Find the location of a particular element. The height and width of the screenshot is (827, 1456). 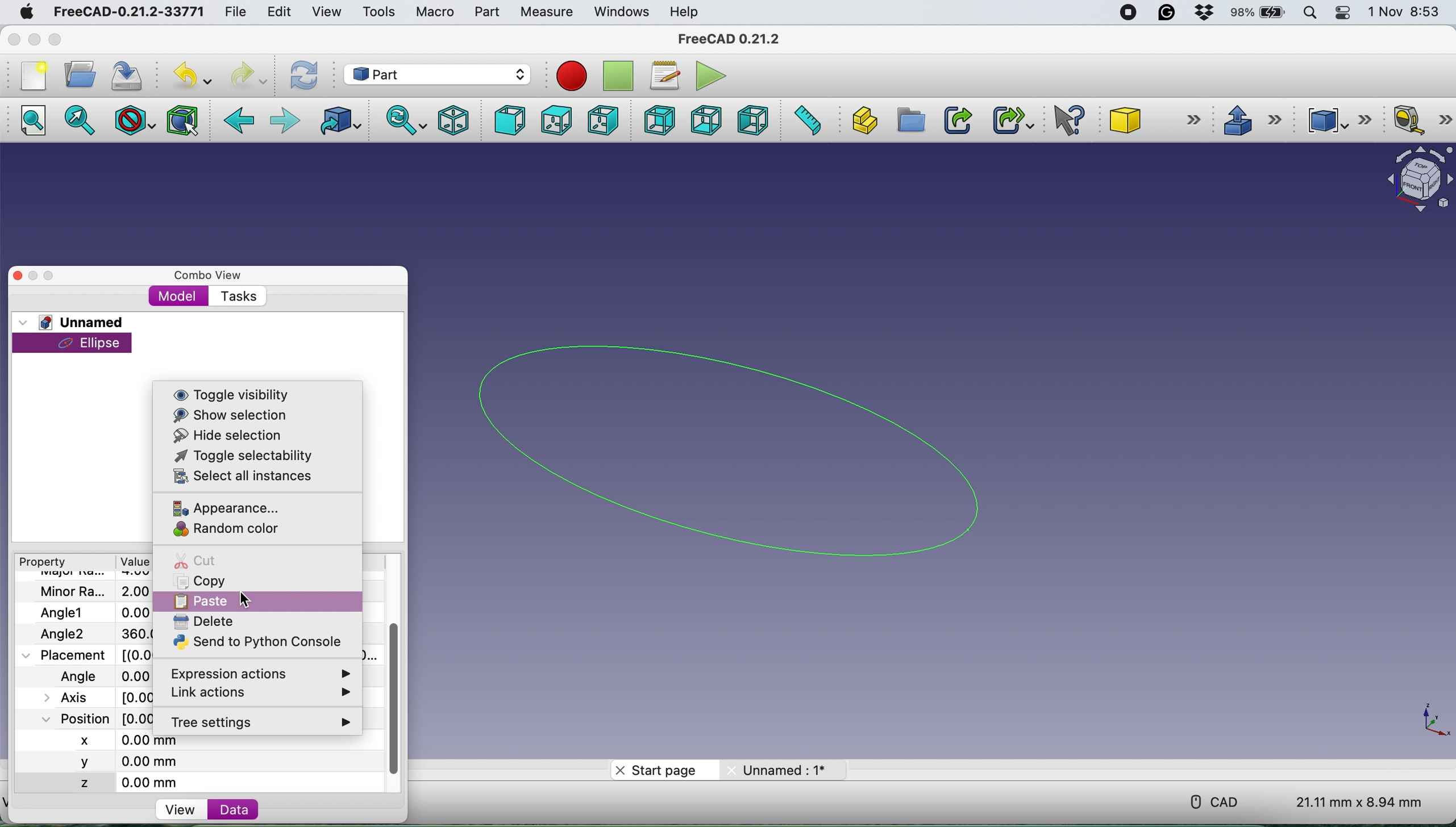

dropbox is located at coordinates (1205, 13).